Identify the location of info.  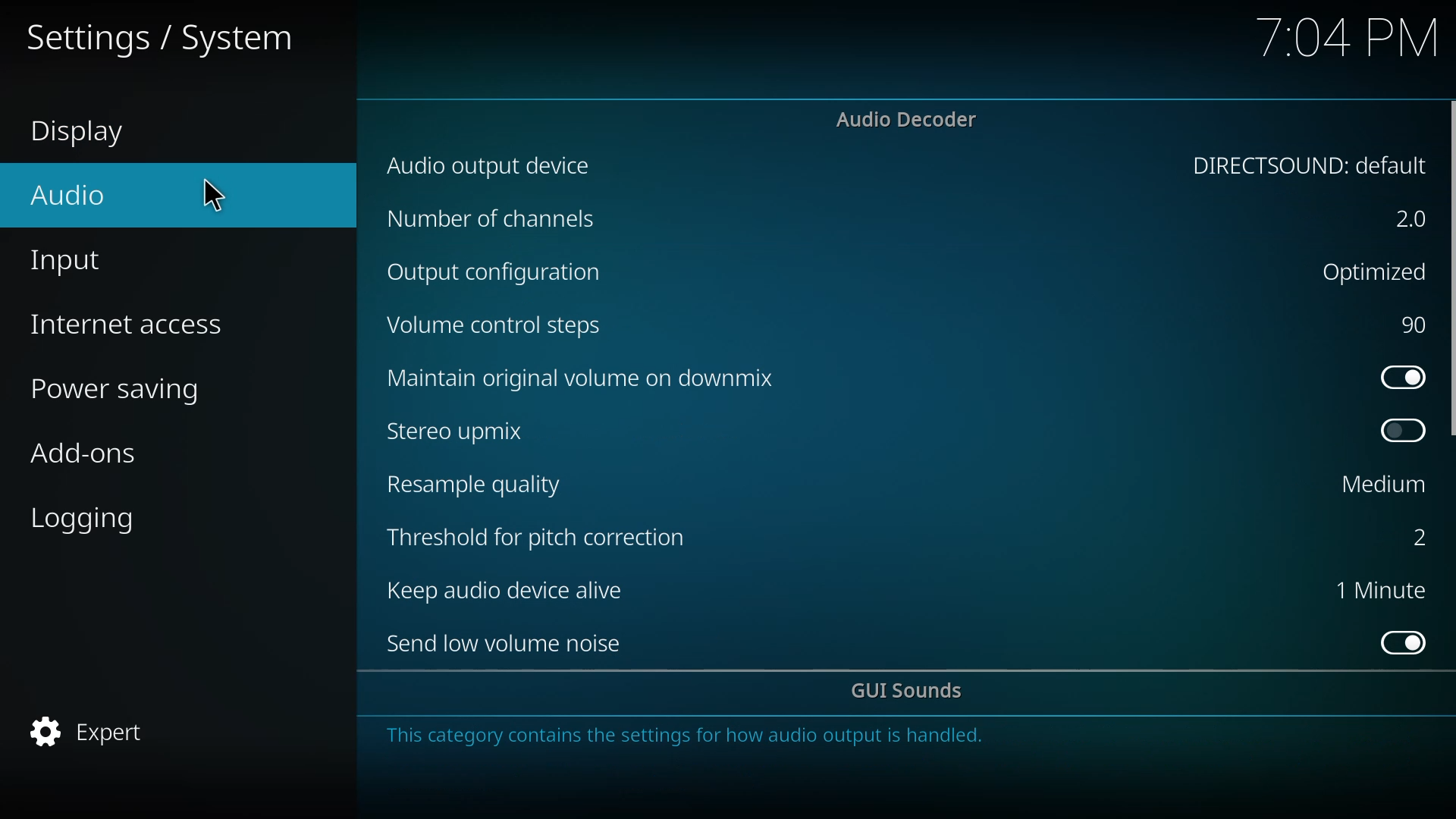
(690, 734).